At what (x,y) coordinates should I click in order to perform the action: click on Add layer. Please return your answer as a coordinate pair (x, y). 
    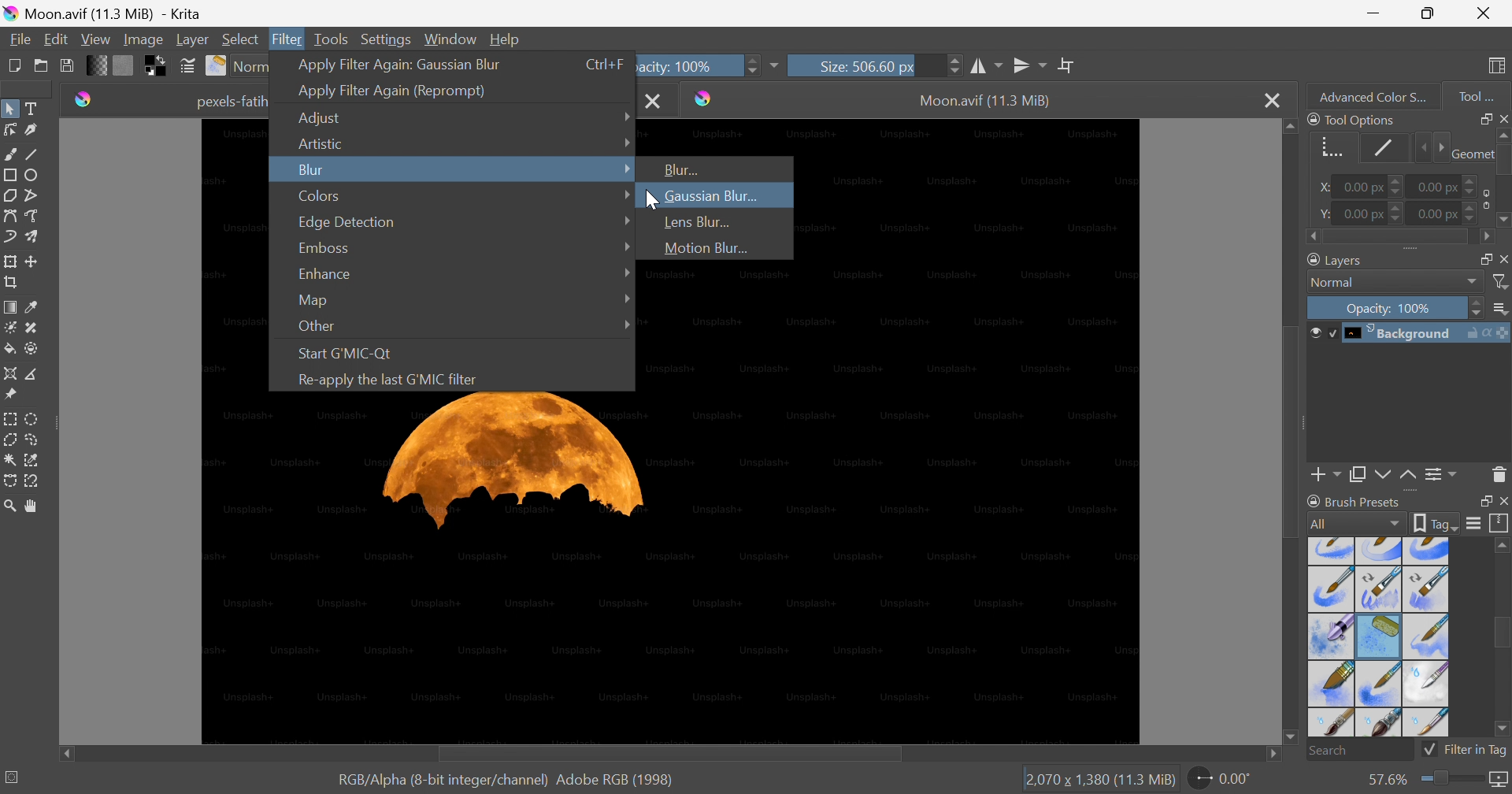
    Looking at the image, I should click on (1326, 477).